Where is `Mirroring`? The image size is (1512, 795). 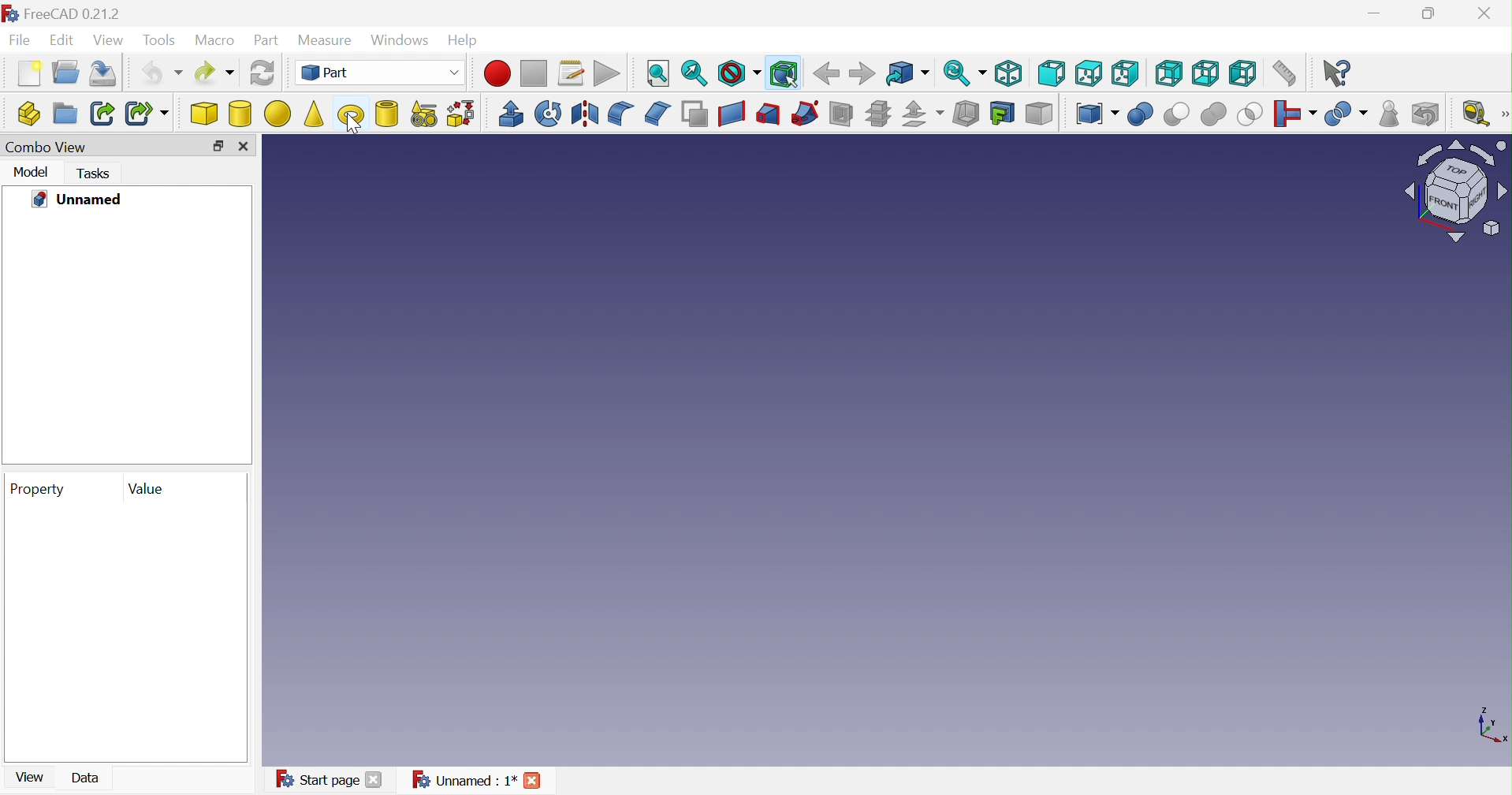 Mirroring is located at coordinates (584, 113).